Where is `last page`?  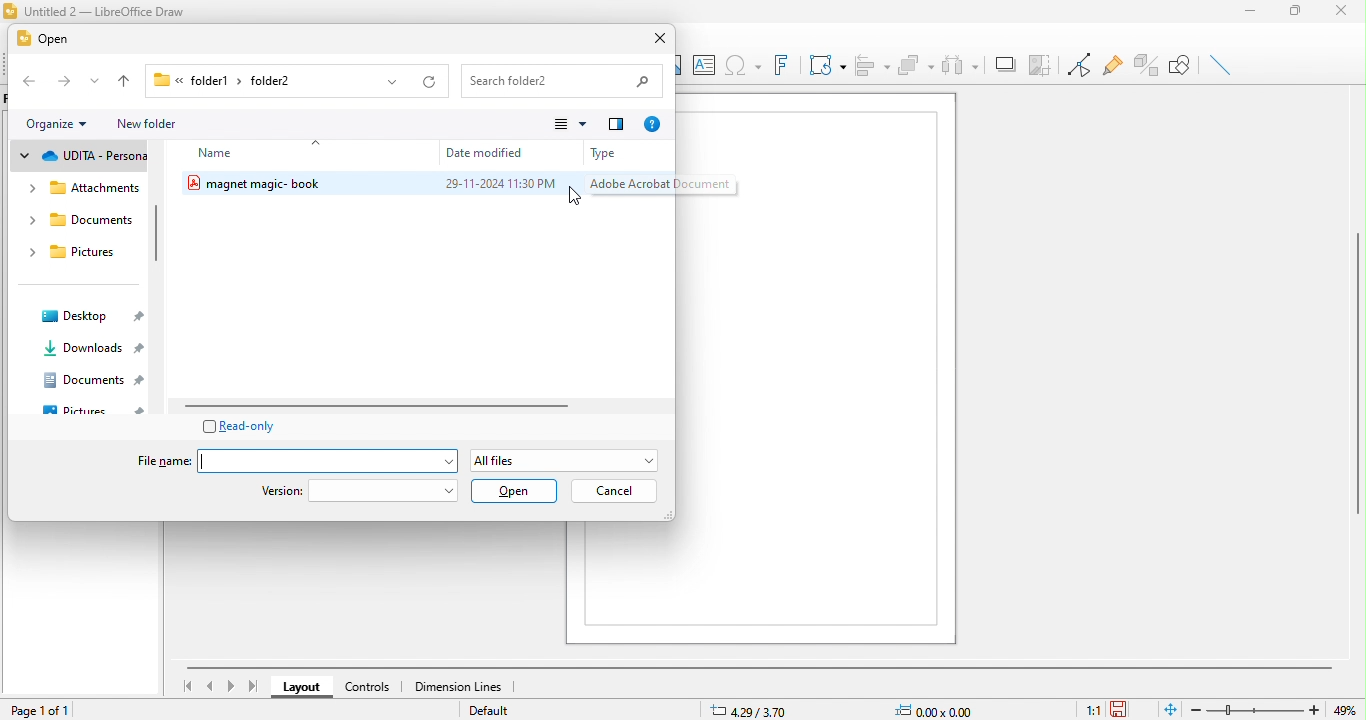
last page is located at coordinates (254, 689).